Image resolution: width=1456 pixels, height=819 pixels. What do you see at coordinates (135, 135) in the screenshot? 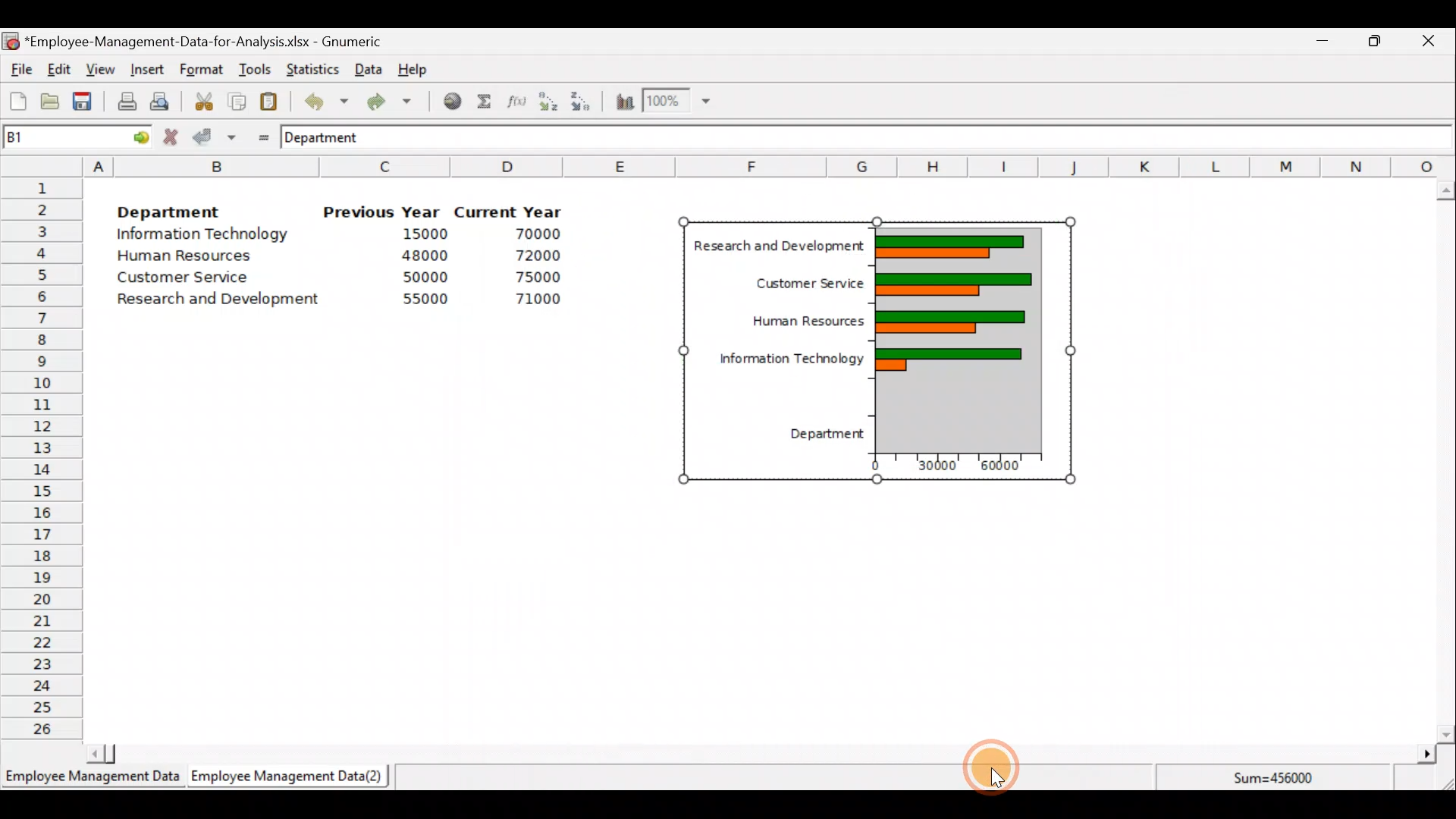
I see `go to` at bounding box center [135, 135].